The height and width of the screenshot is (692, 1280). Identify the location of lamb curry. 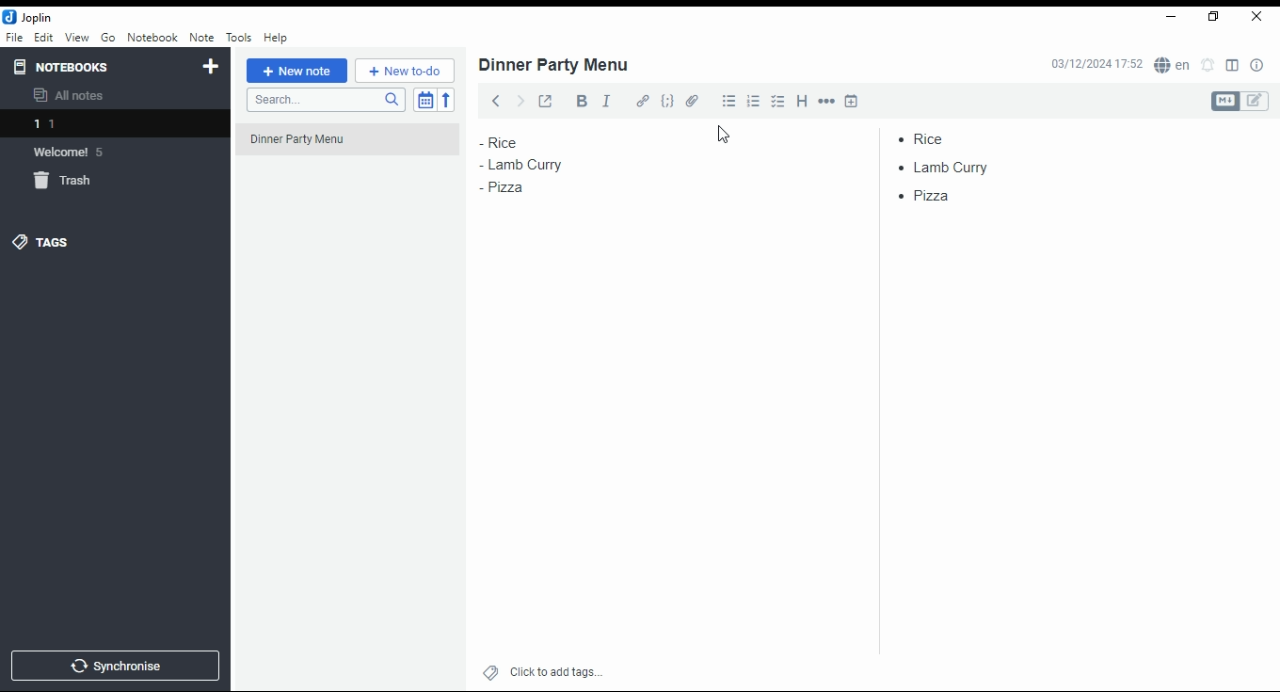
(521, 165).